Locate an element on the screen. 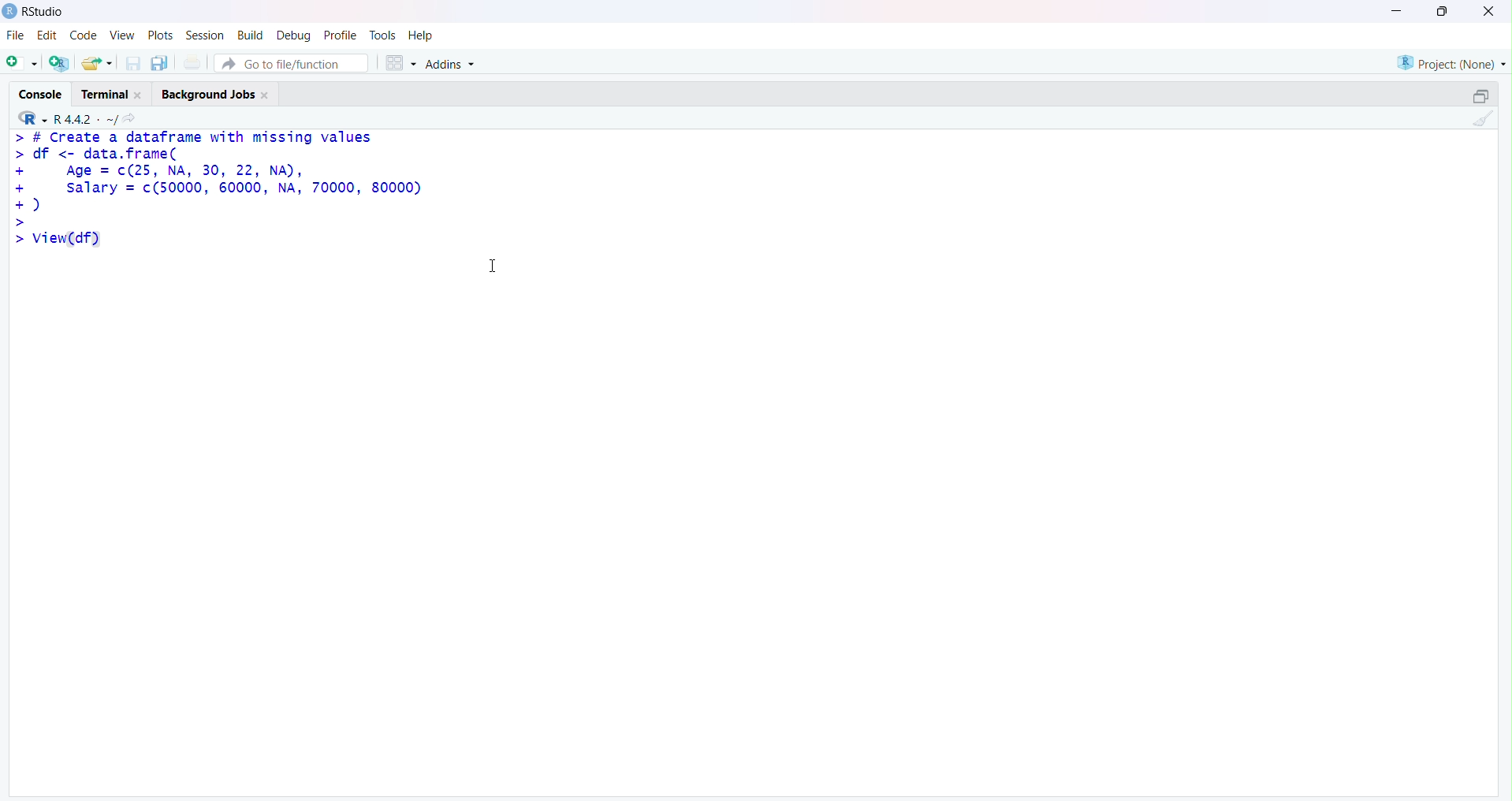 The width and height of the screenshot is (1512, 801). Plots is located at coordinates (158, 35).